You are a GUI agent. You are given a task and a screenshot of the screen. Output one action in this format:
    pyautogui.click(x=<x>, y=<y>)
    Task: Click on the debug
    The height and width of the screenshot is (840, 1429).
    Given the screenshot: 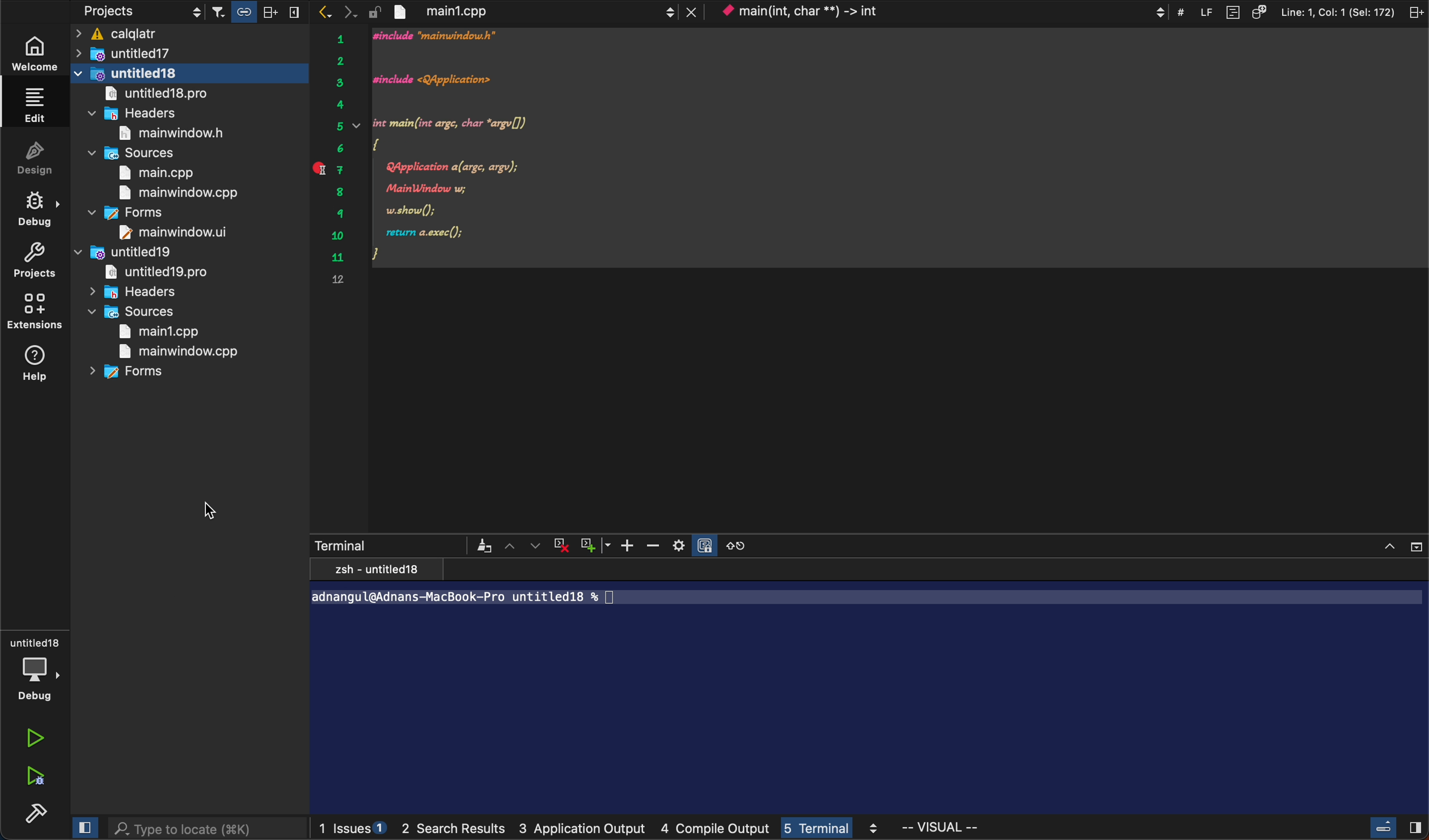 What is the action you would take?
    pyautogui.click(x=33, y=206)
    